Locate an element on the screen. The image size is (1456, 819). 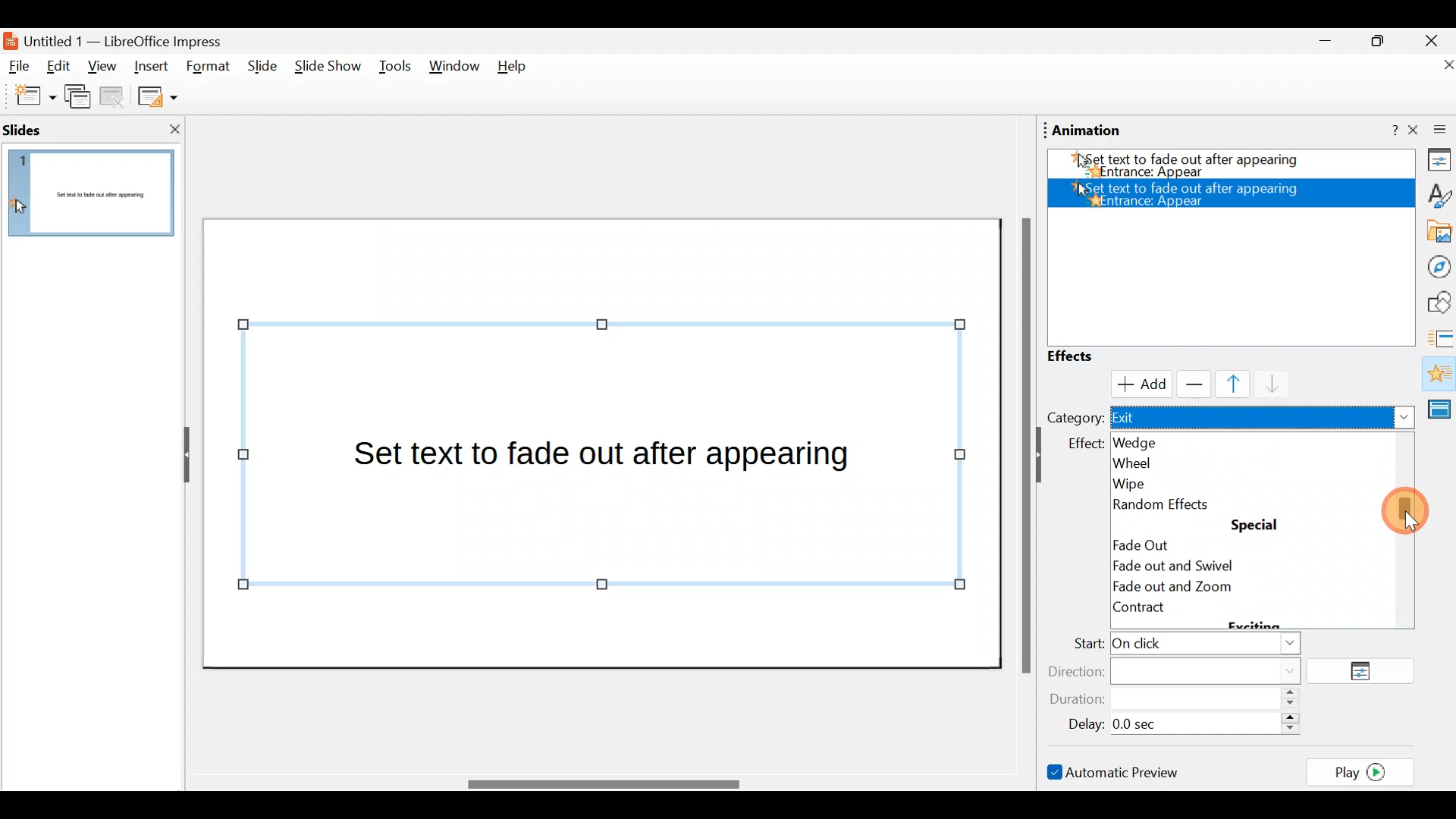
Fade out and zoom is located at coordinates (1194, 588).